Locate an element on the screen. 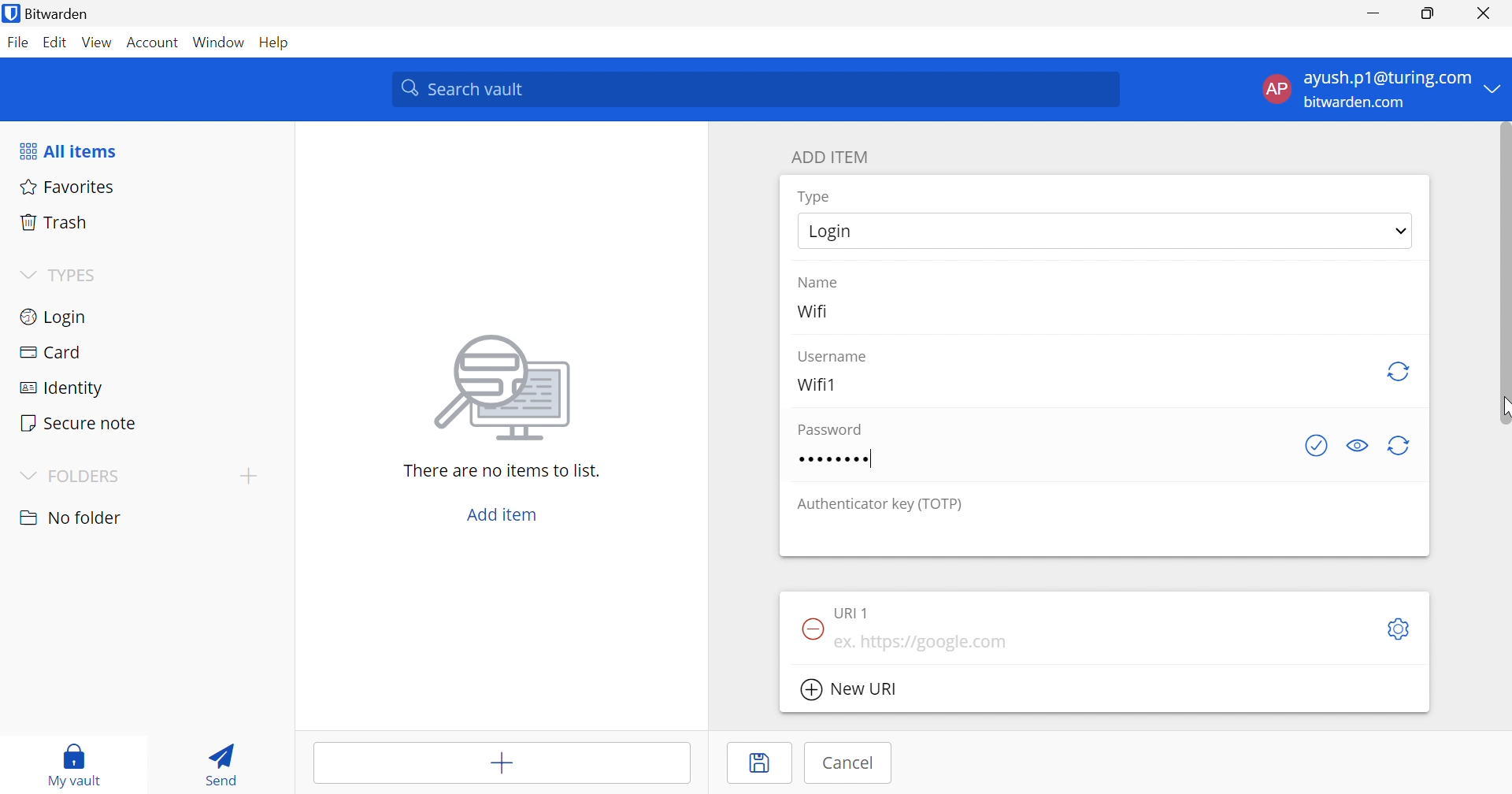  File is located at coordinates (17, 42).